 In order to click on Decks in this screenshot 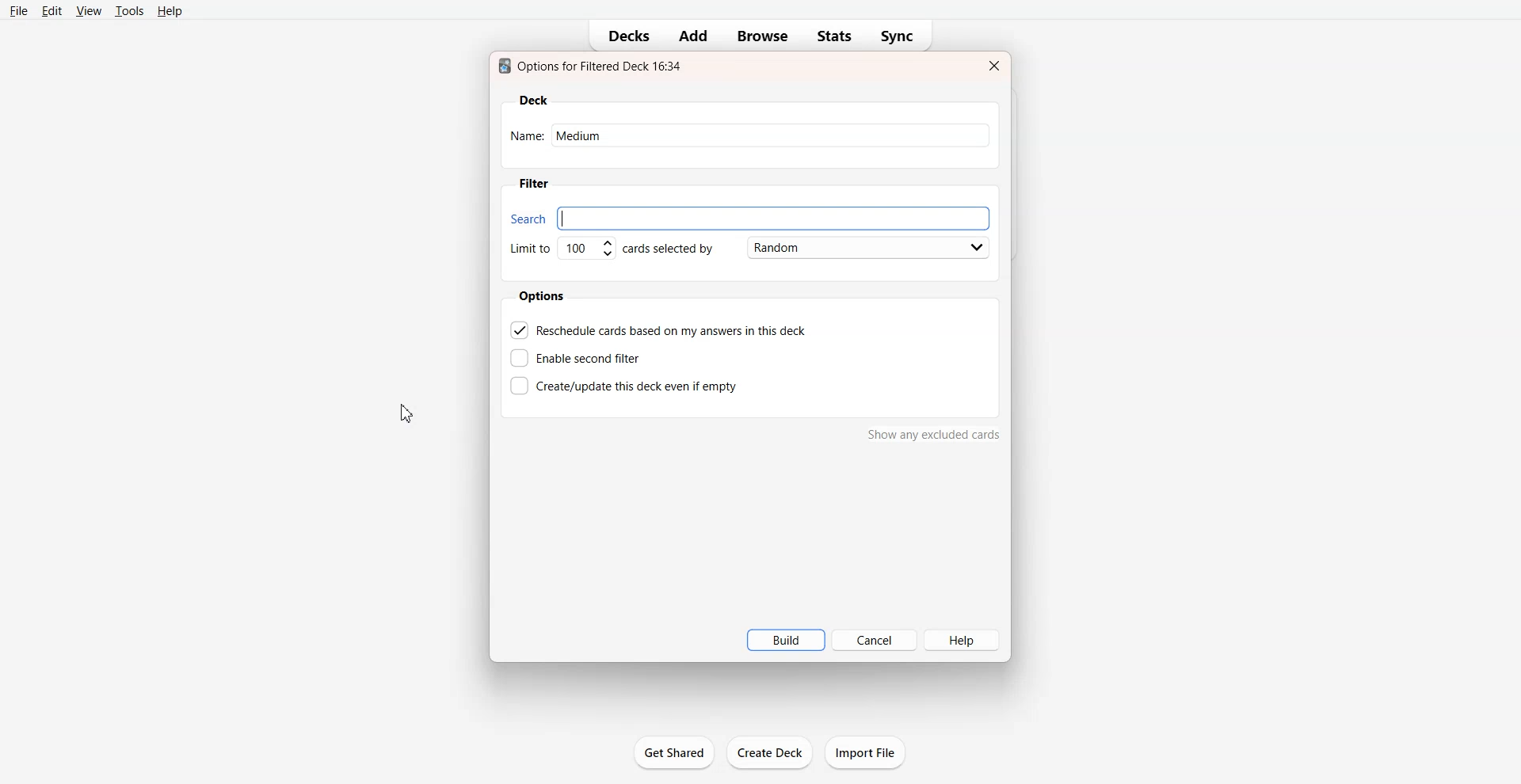, I will do `click(623, 36)`.